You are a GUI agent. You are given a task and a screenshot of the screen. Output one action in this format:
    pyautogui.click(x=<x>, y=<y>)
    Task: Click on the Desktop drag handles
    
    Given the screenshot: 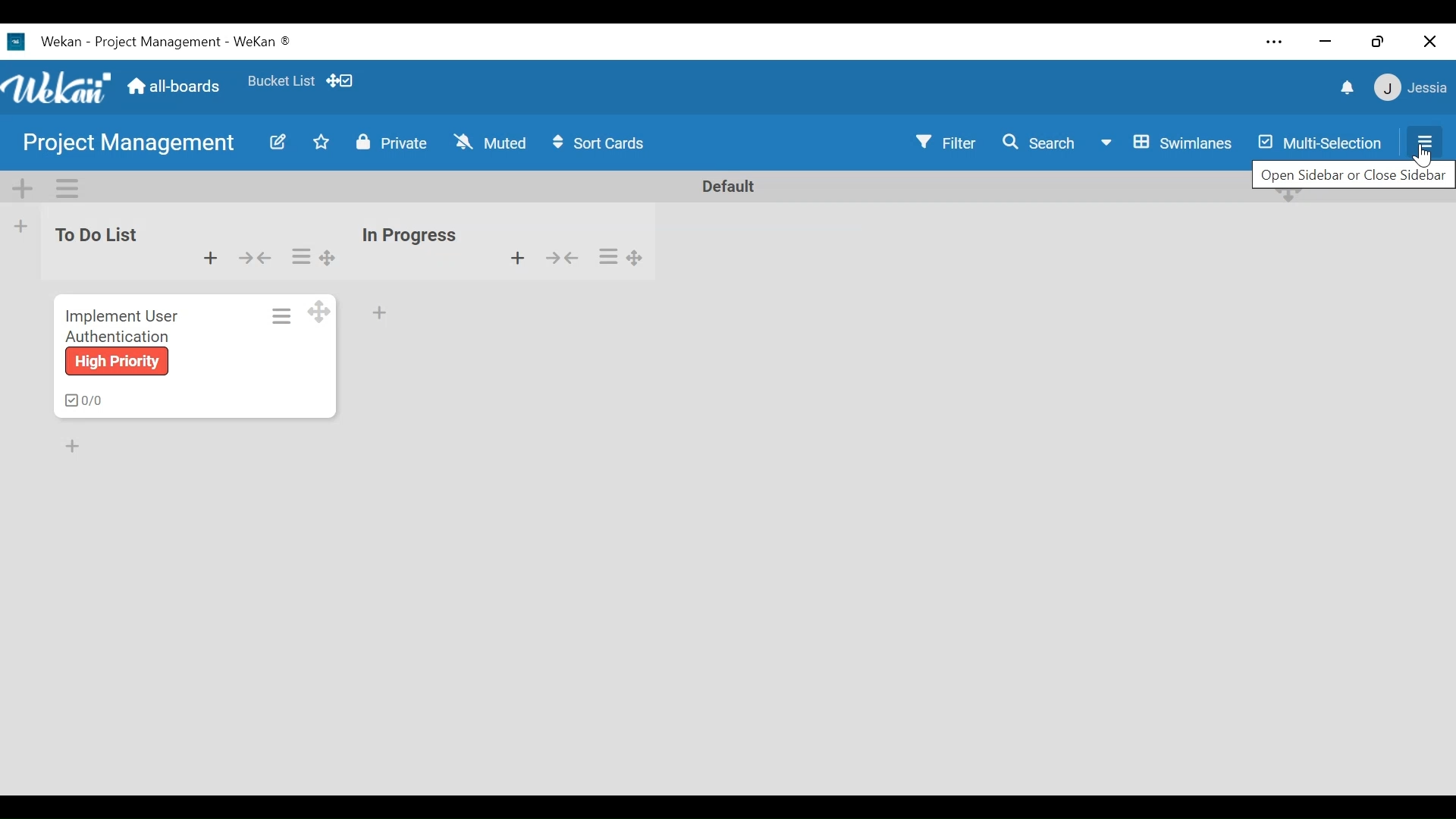 What is the action you would take?
    pyautogui.click(x=1285, y=196)
    